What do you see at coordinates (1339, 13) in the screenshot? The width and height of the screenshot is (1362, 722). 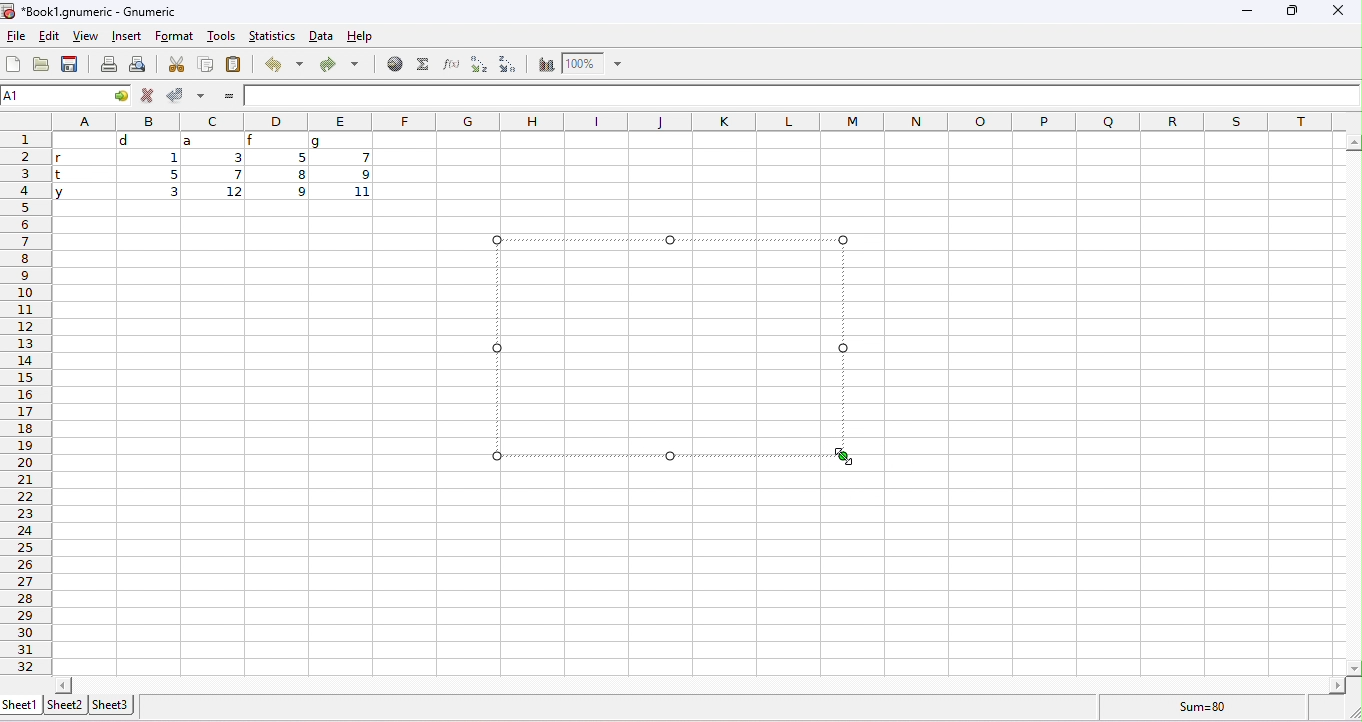 I see `close` at bounding box center [1339, 13].